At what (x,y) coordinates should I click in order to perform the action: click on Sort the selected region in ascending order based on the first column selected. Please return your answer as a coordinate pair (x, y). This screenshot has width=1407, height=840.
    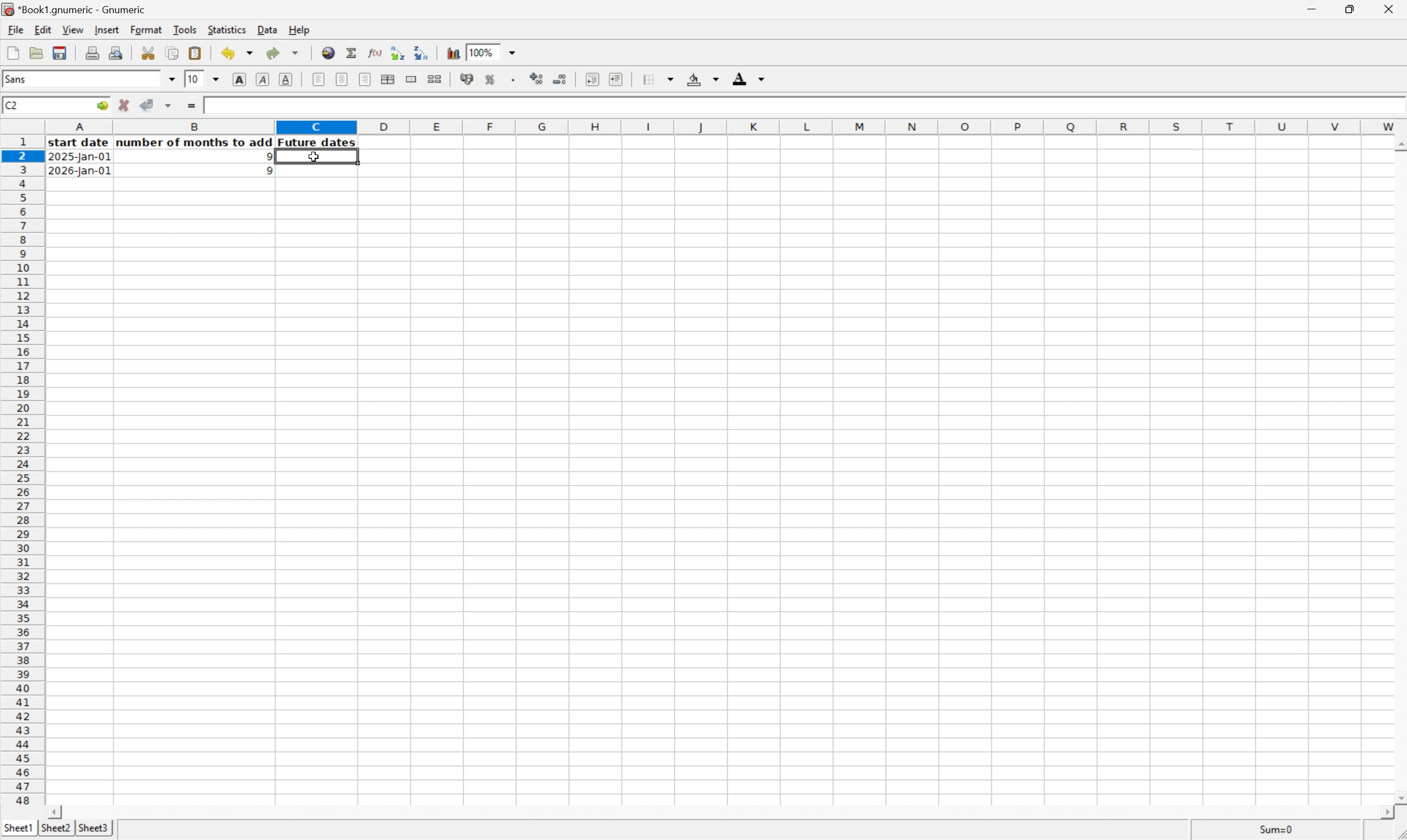
    Looking at the image, I should click on (397, 52).